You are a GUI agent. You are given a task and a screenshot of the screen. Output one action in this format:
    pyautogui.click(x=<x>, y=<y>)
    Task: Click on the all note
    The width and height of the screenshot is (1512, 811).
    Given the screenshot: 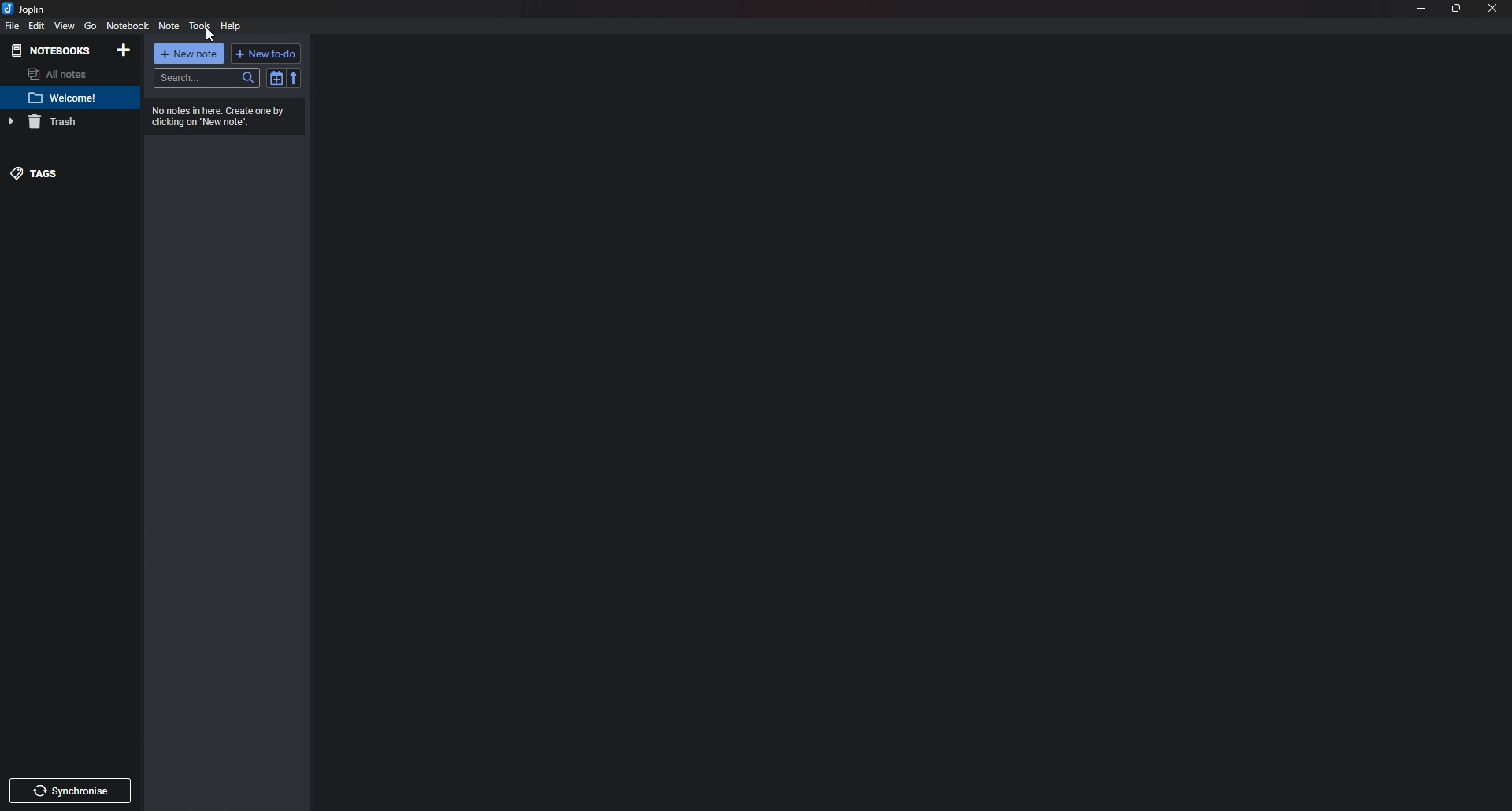 What is the action you would take?
    pyautogui.click(x=65, y=75)
    